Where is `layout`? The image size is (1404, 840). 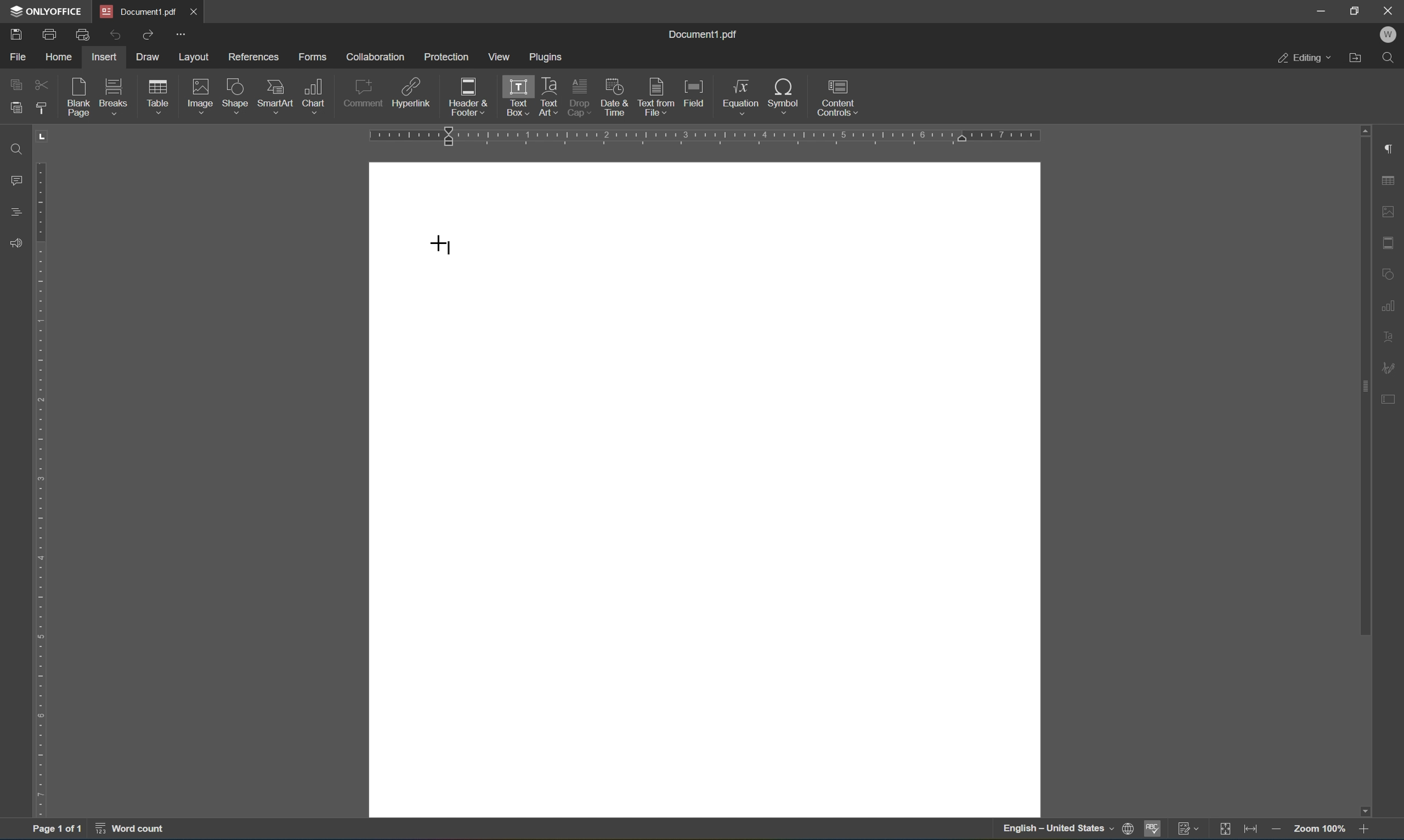 layout is located at coordinates (195, 58).